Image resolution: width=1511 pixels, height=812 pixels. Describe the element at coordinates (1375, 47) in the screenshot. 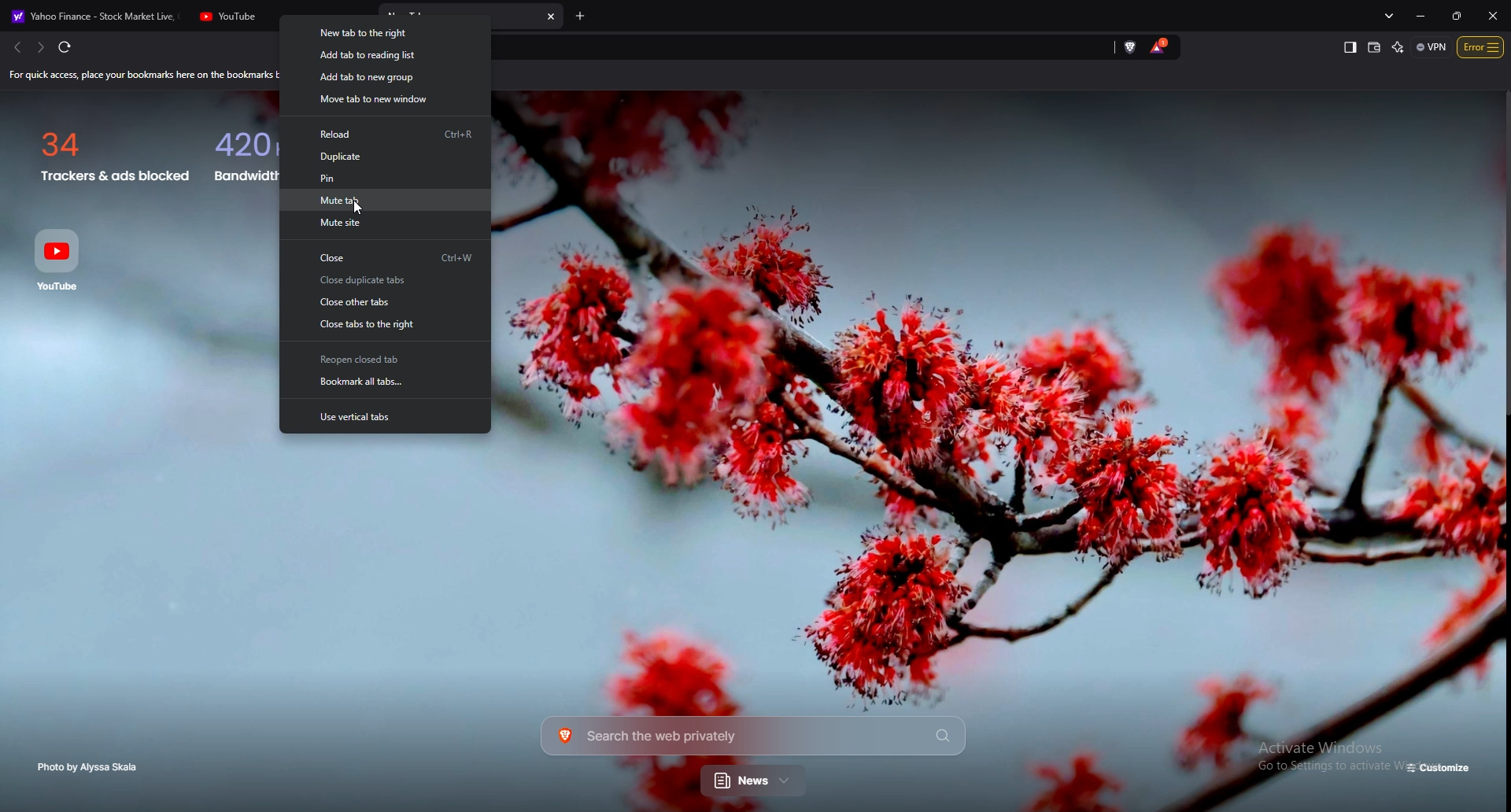

I see `wallet` at that location.